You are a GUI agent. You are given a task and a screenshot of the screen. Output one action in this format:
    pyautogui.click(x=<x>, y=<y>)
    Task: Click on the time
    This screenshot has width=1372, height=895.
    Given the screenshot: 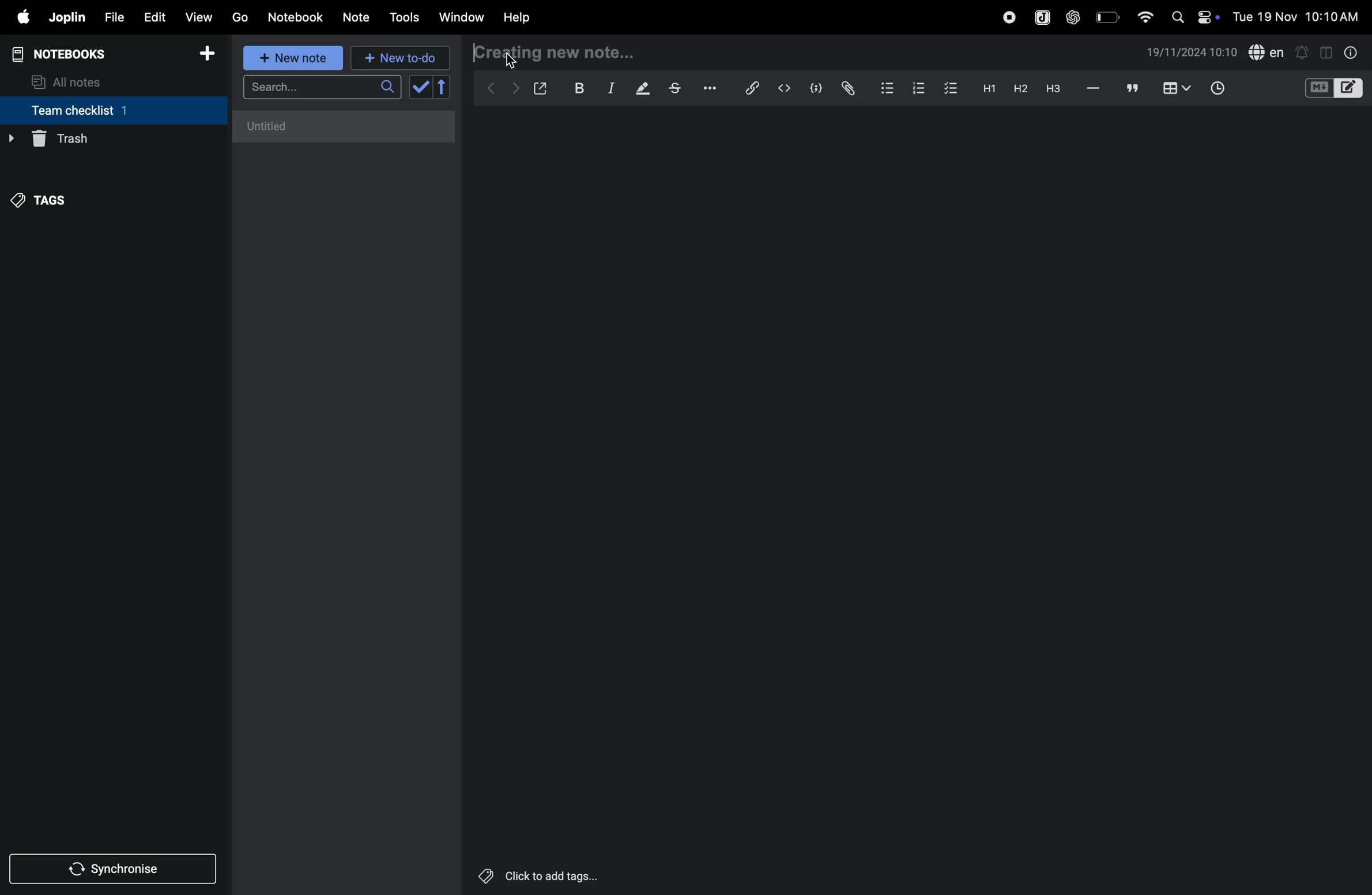 What is the action you would take?
    pyautogui.click(x=1219, y=87)
    